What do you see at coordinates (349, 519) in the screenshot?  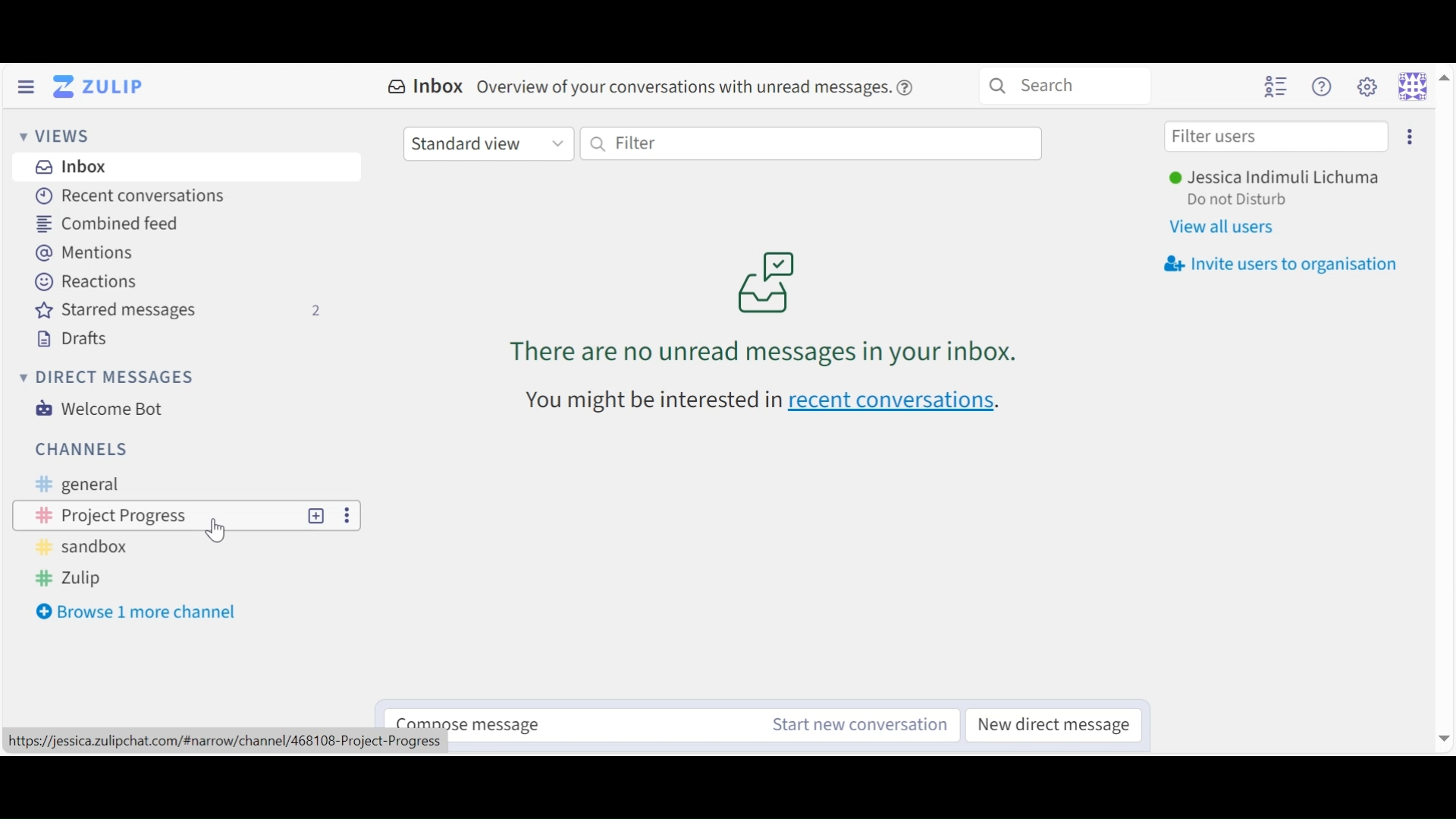 I see `options` at bounding box center [349, 519].